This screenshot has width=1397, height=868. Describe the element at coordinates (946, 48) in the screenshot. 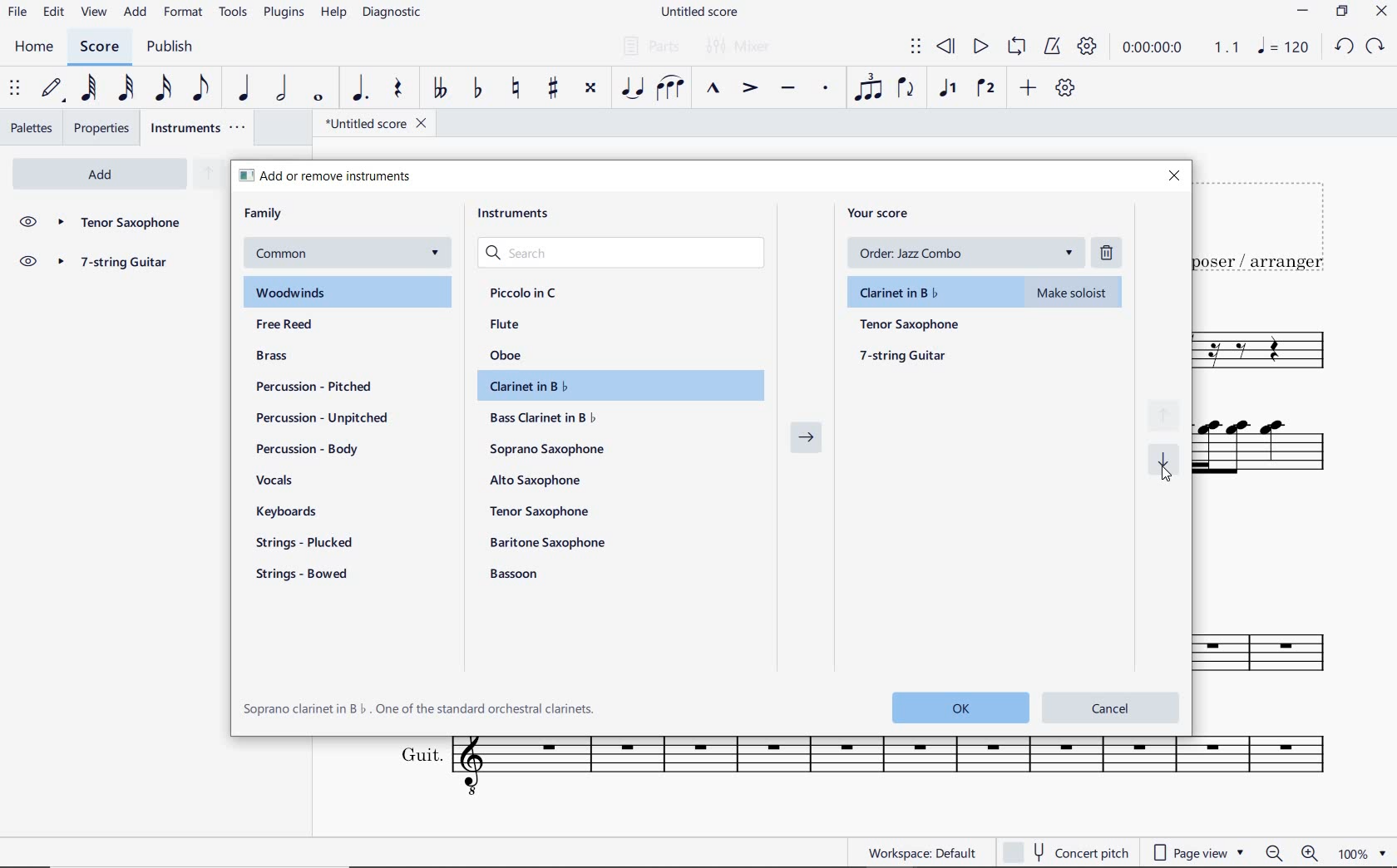

I see `REWIND` at that location.